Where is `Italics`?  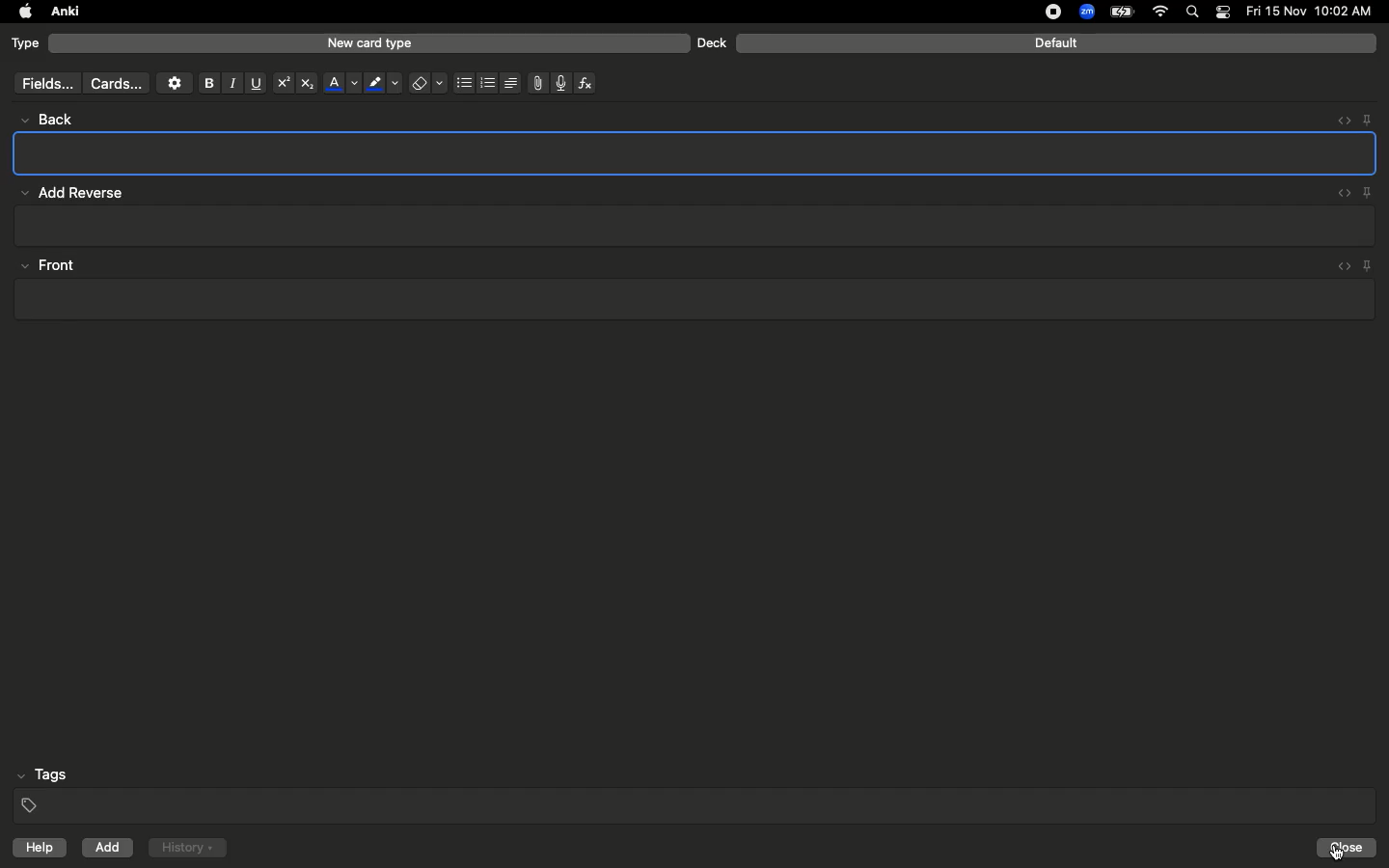
Italics is located at coordinates (230, 84).